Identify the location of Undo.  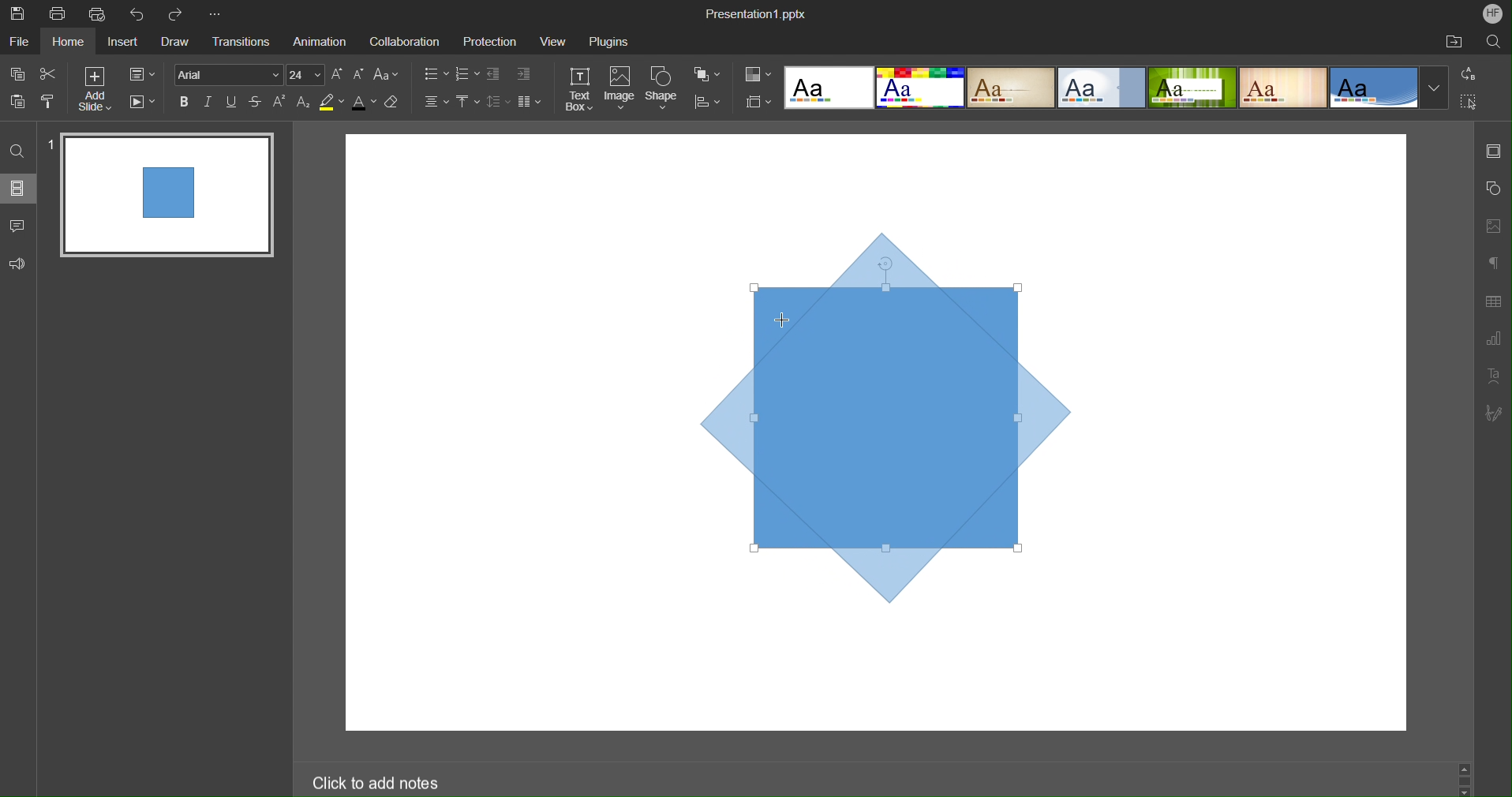
(137, 11).